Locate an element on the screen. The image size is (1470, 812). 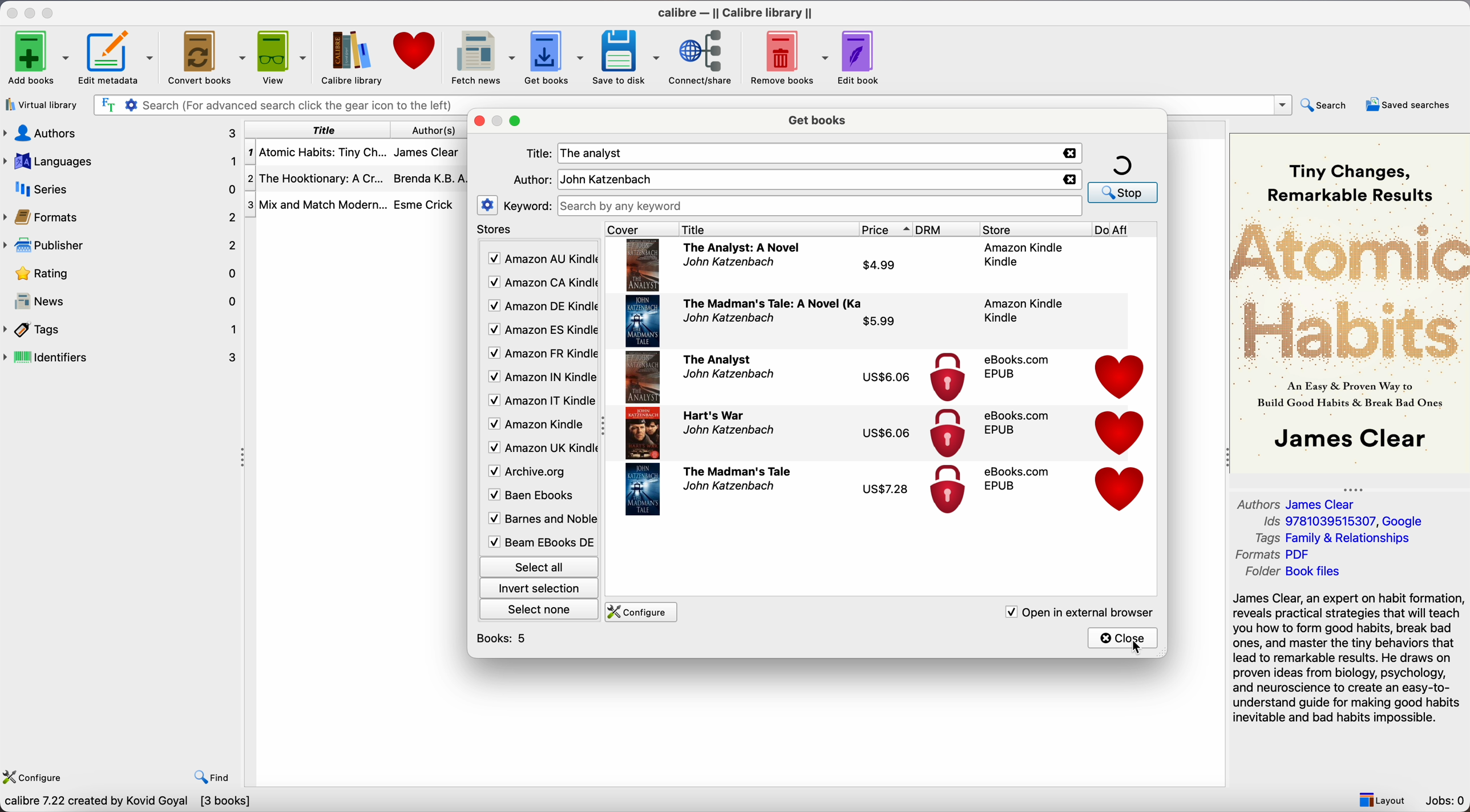
Amazon CA Kindle is located at coordinates (541, 282).